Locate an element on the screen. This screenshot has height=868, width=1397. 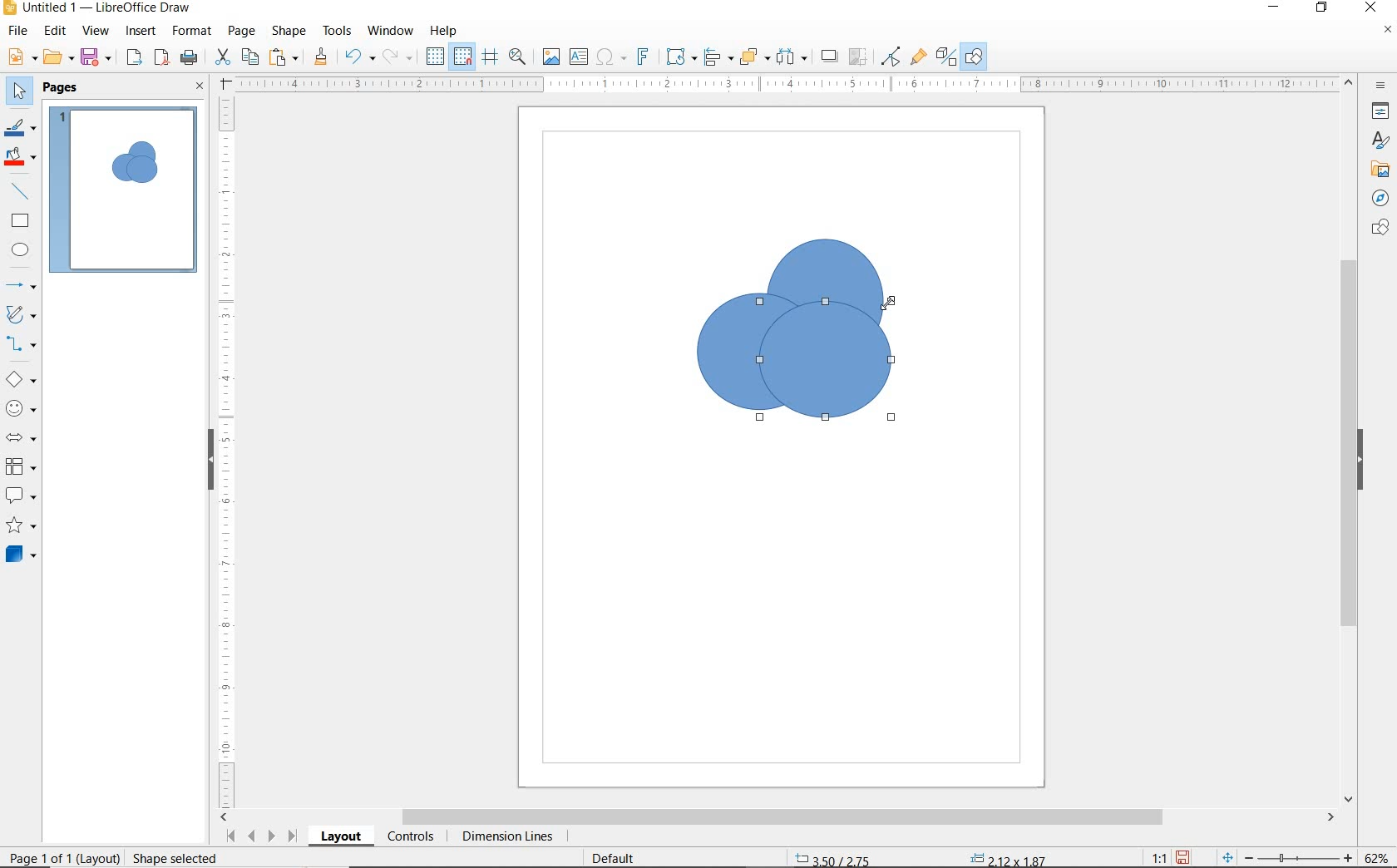
EXPORT is located at coordinates (135, 58).